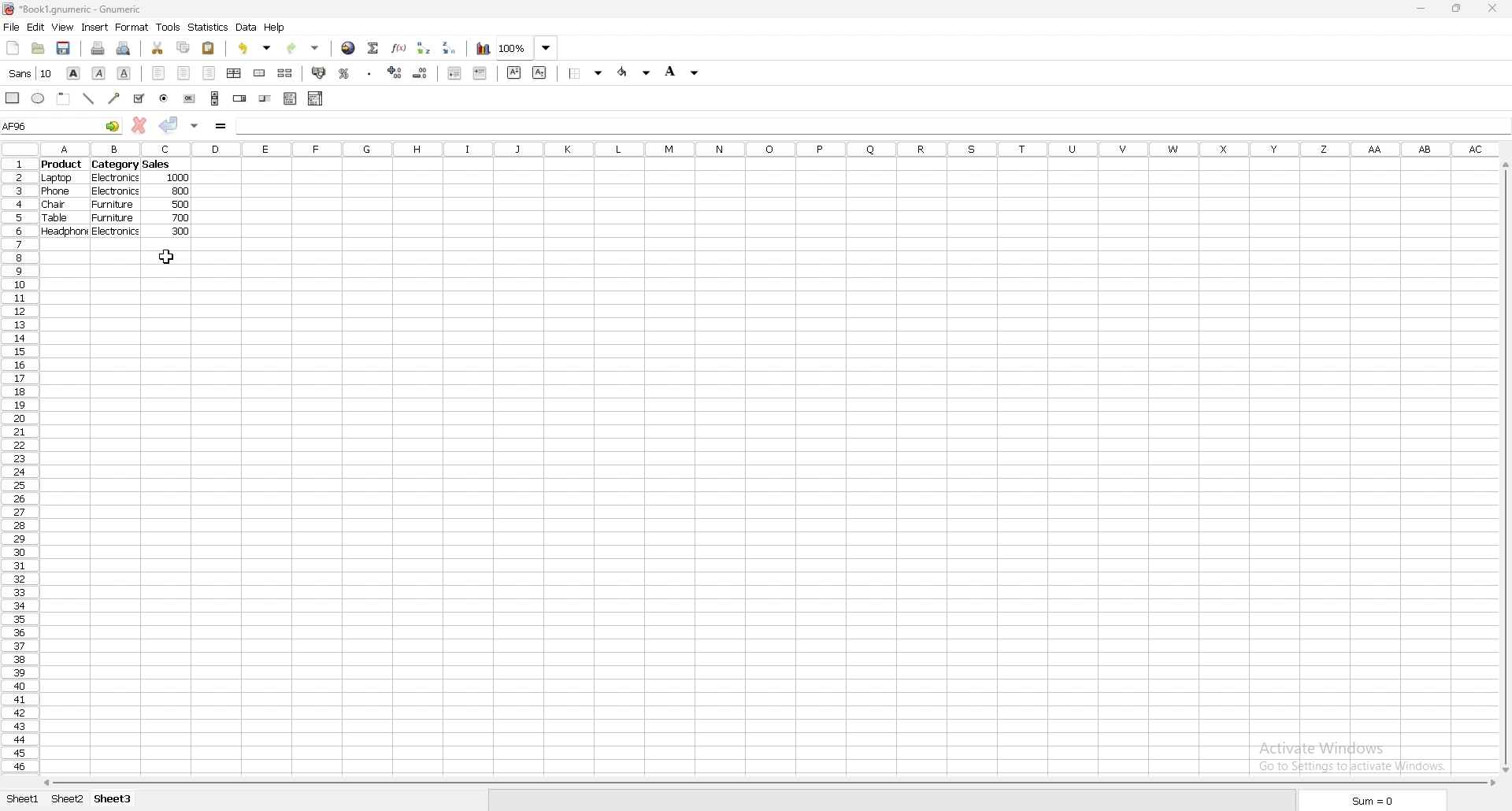 The height and width of the screenshot is (811, 1512). Describe the element at coordinates (399, 47) in the screenshot. I see `functions` at that location.